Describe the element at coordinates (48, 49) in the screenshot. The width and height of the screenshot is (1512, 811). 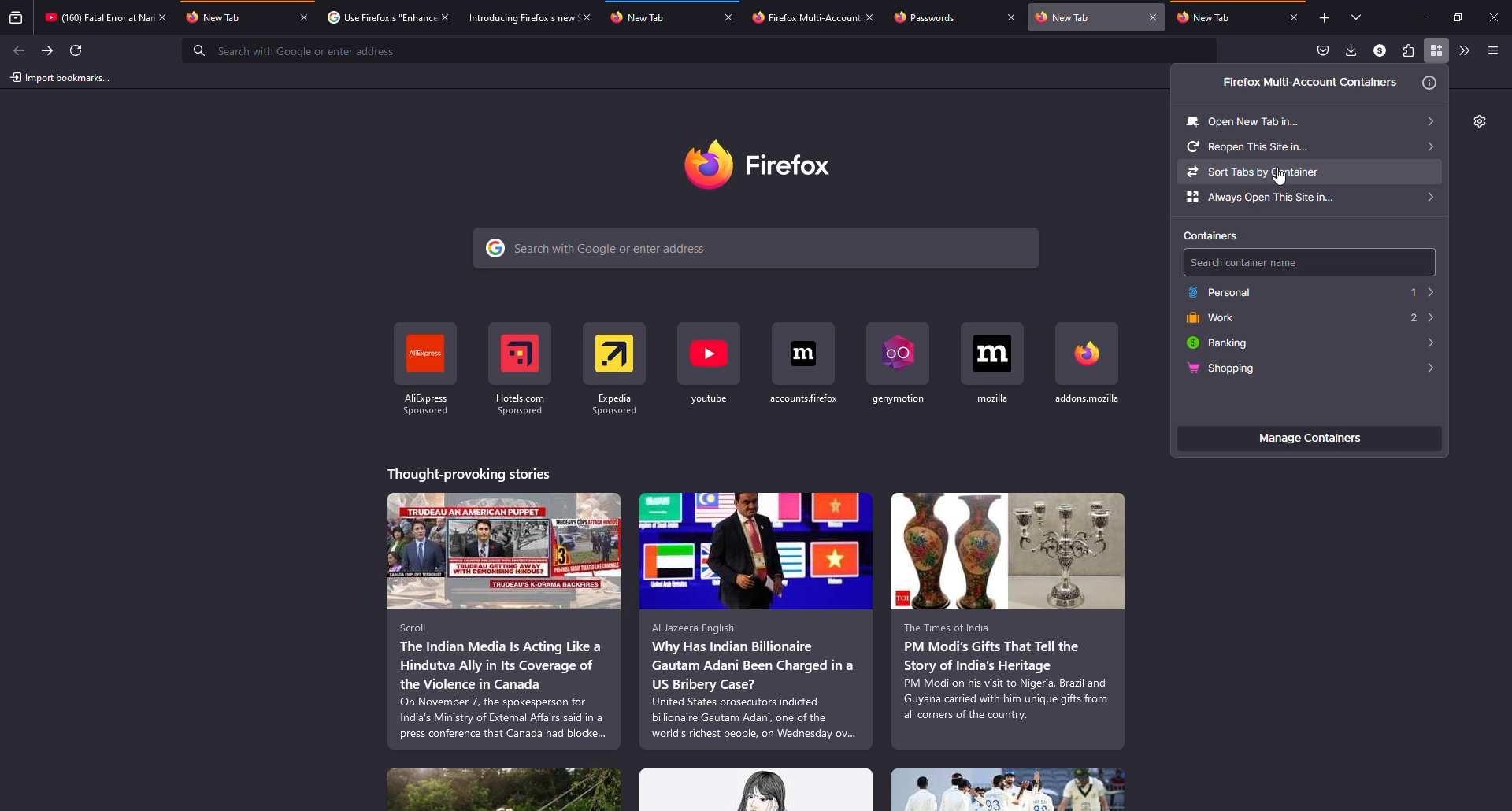
I see `forward` at that location.